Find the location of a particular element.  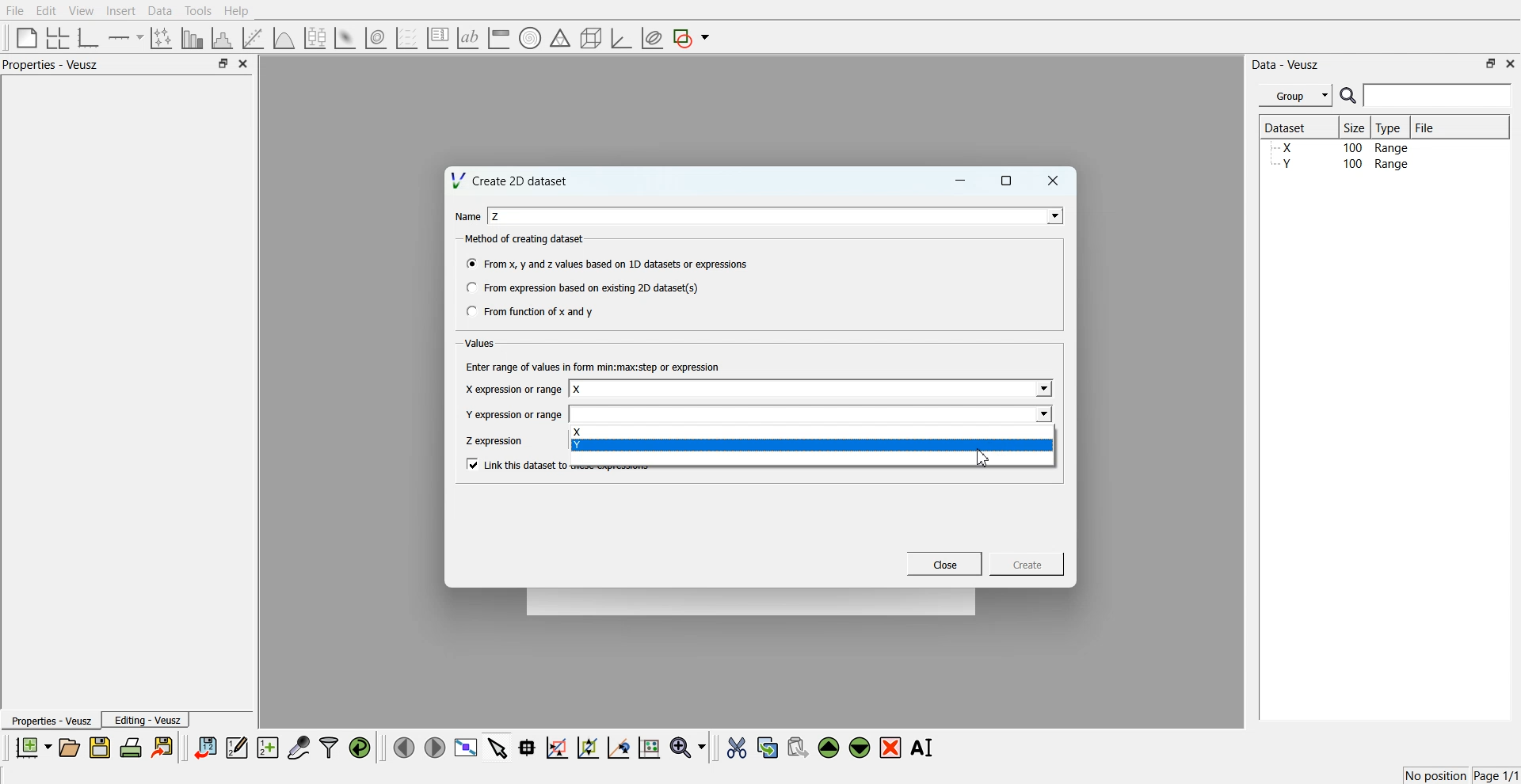

Remove the selected widget is located at coordinates (890, 748).